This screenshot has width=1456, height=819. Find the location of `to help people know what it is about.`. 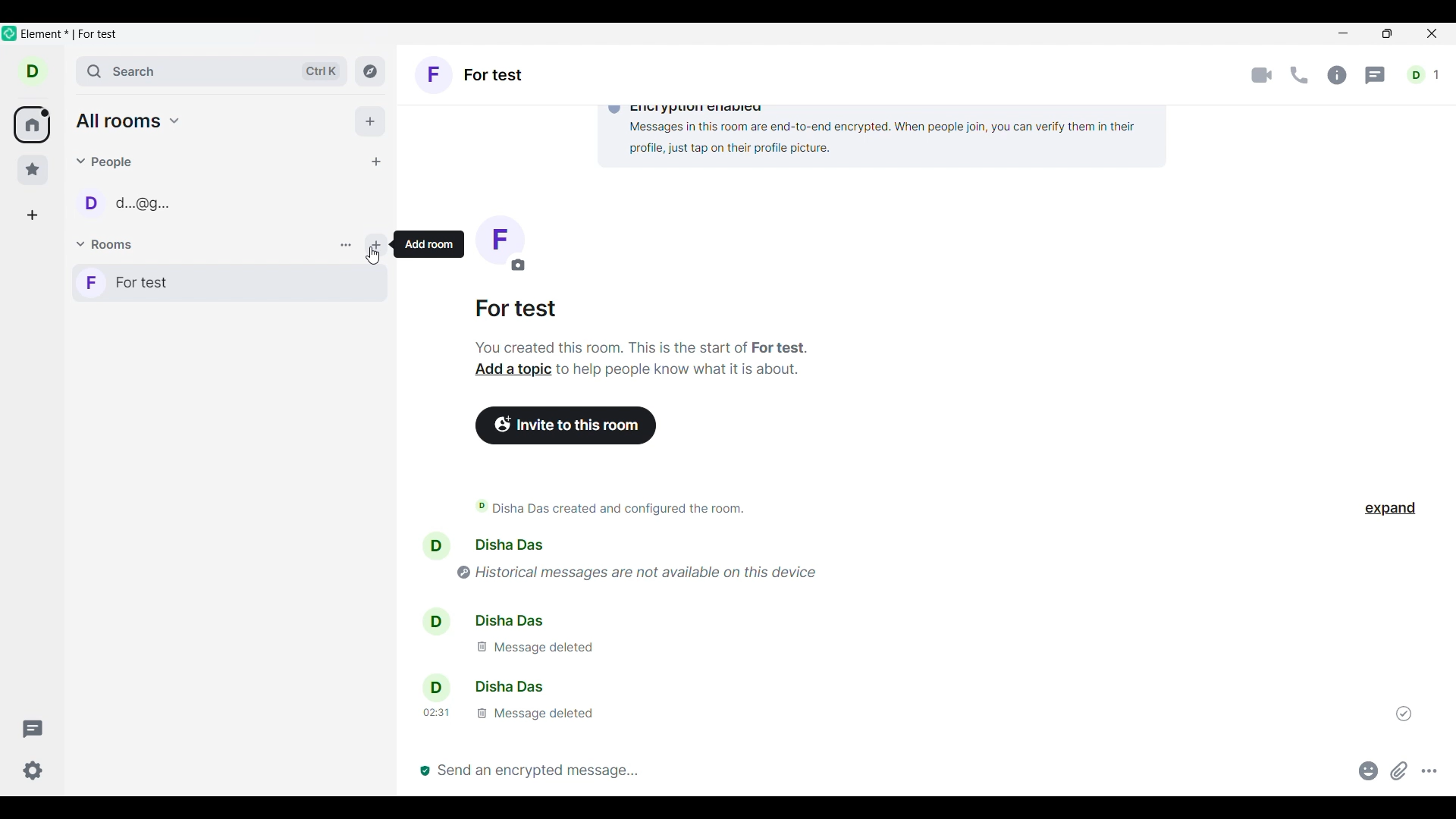

to help people know what it is about. is located at coordinates (684, 370).